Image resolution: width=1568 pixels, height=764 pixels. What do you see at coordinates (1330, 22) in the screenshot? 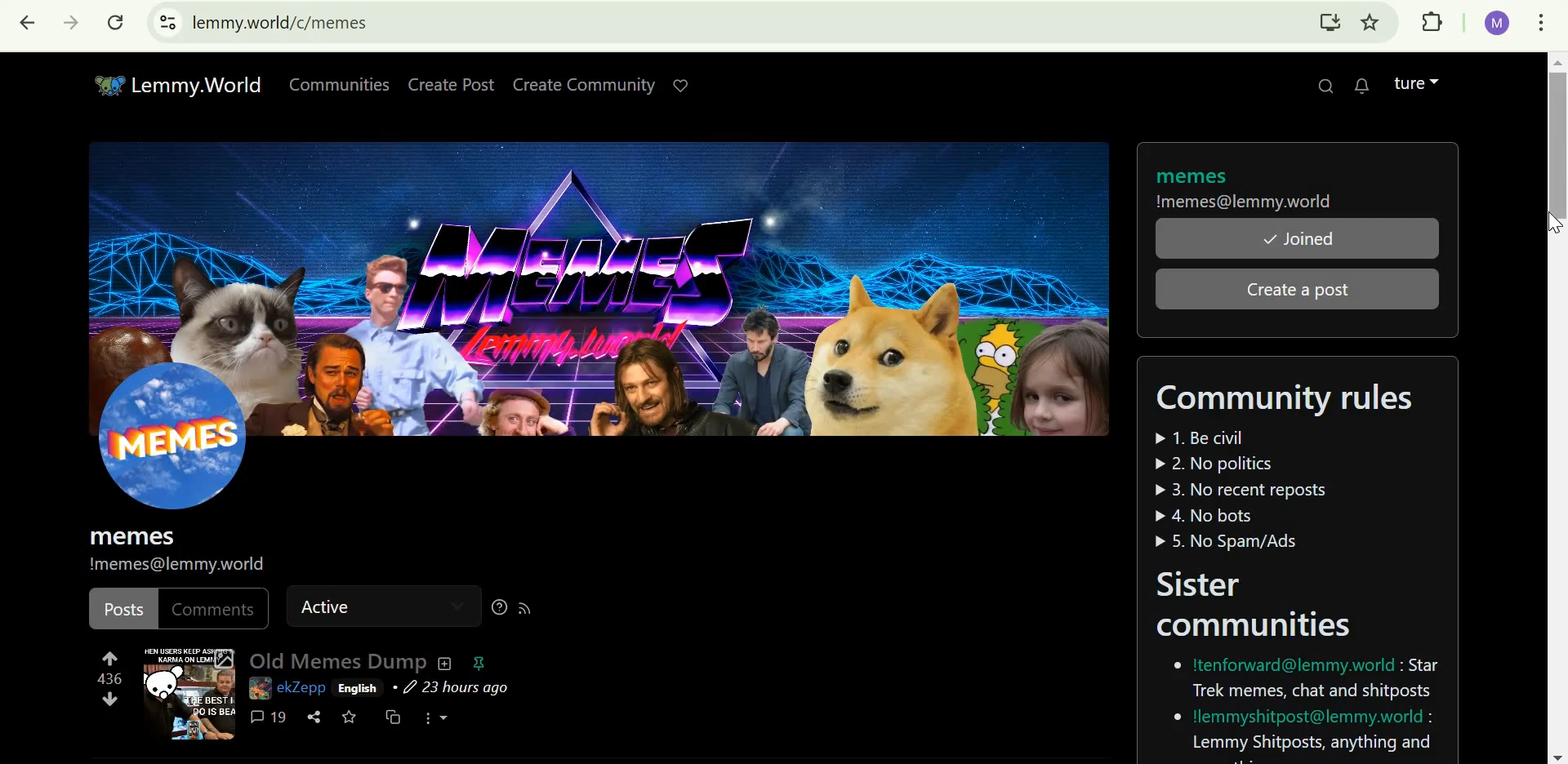
I see `install lemmy.world` at bounding box center [1330, 22].